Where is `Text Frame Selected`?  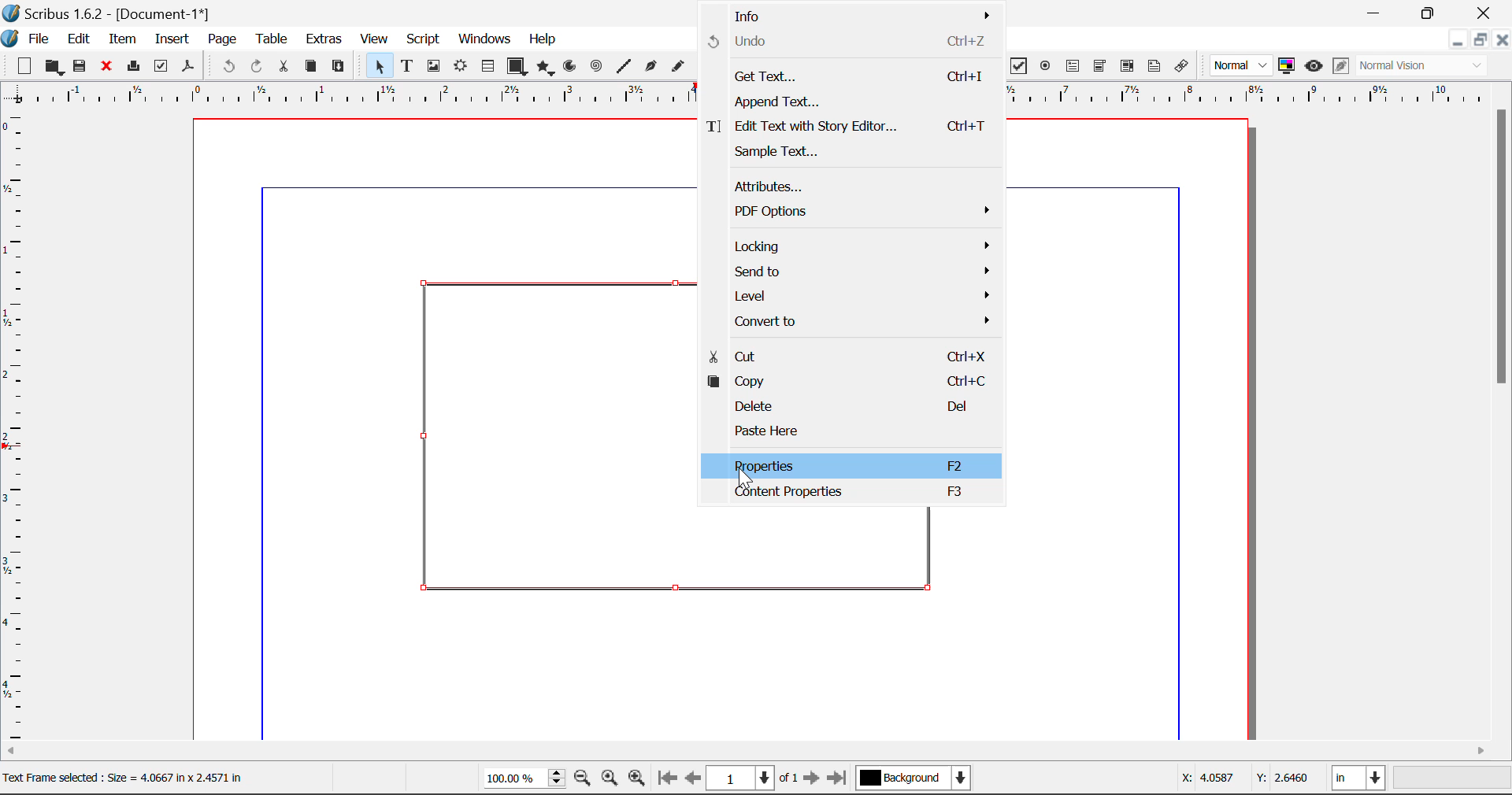 Text Frame Selected is located at coordinates (406, 65).